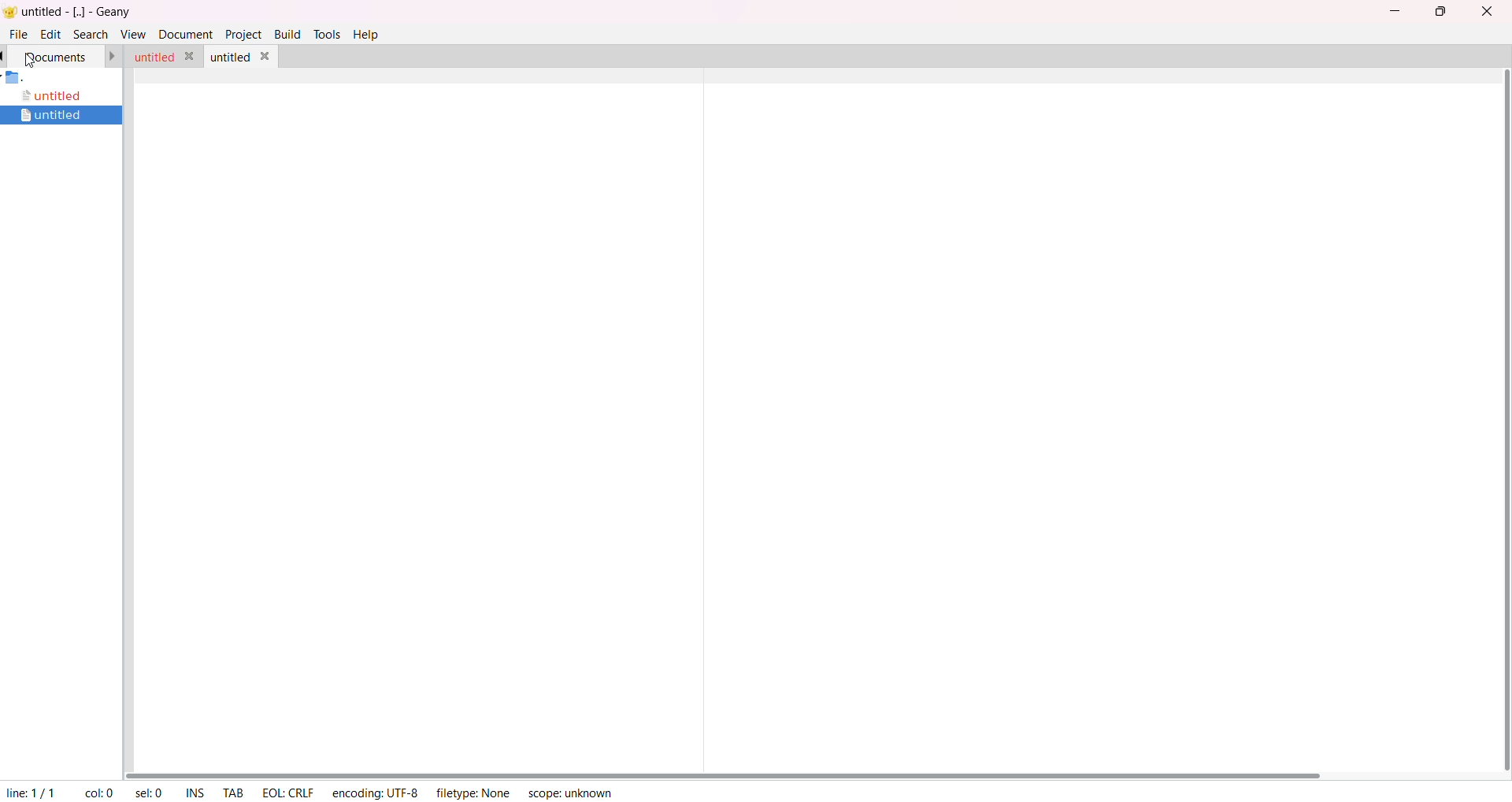 Image resolution: width=1512 pixels, height=802 pixels. Describe the element at coordinates (152, 56) in the screenshot. I see `untitled` at that location.